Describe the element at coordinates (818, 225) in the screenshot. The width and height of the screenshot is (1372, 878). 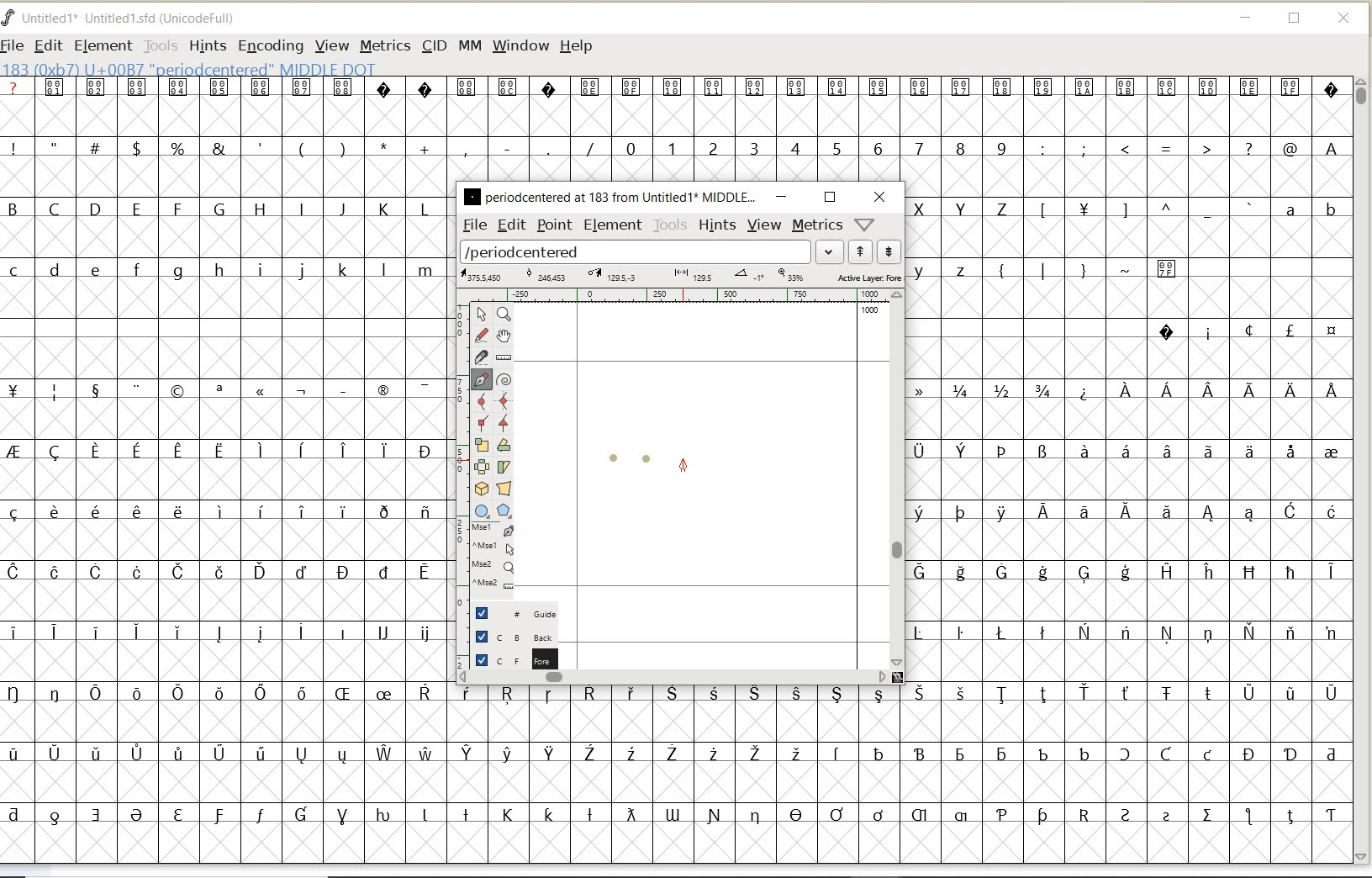
I see `metrics` at that location.